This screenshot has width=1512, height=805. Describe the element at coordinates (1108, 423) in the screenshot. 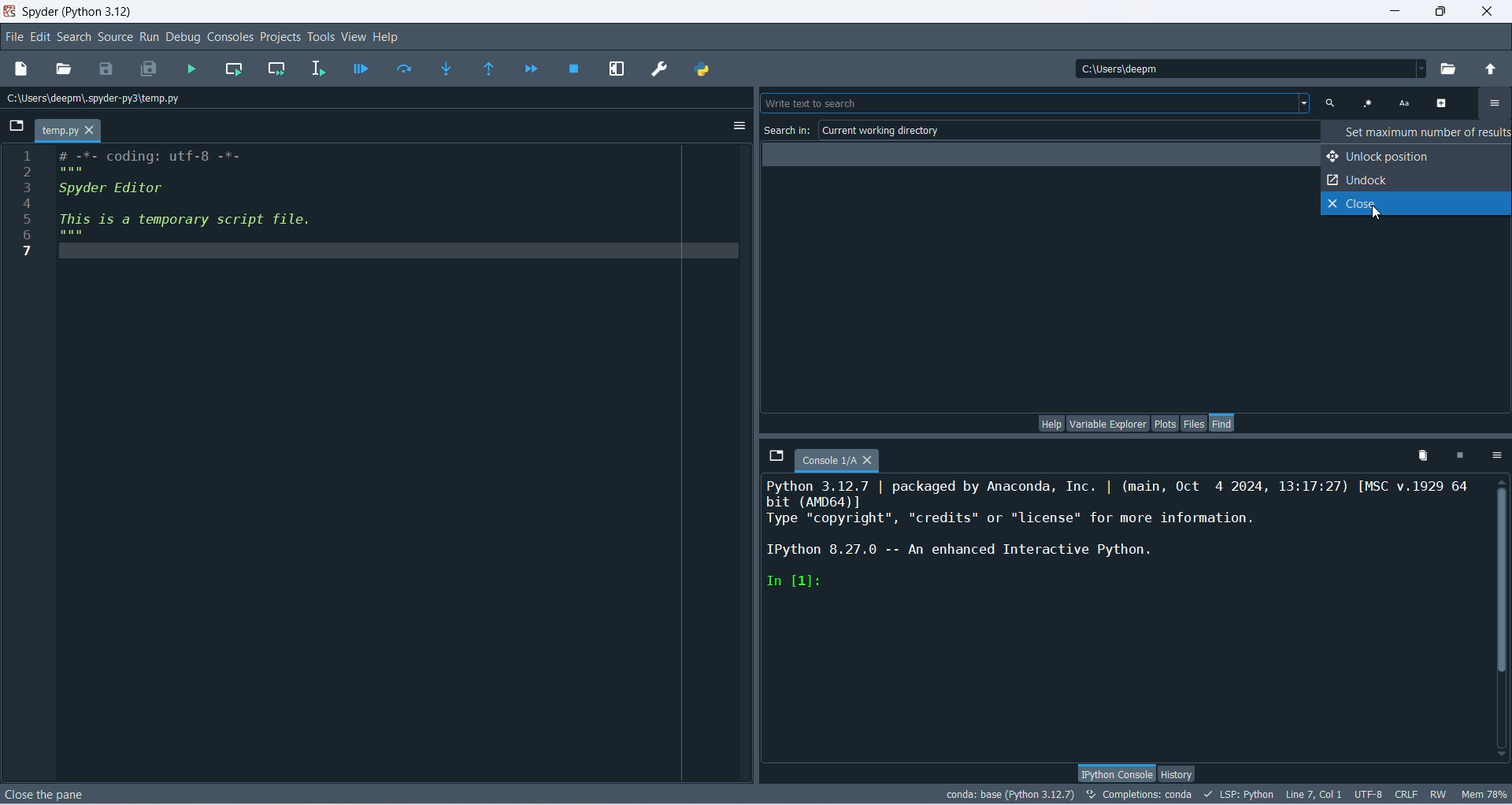

I see `variable explorer` at that location.